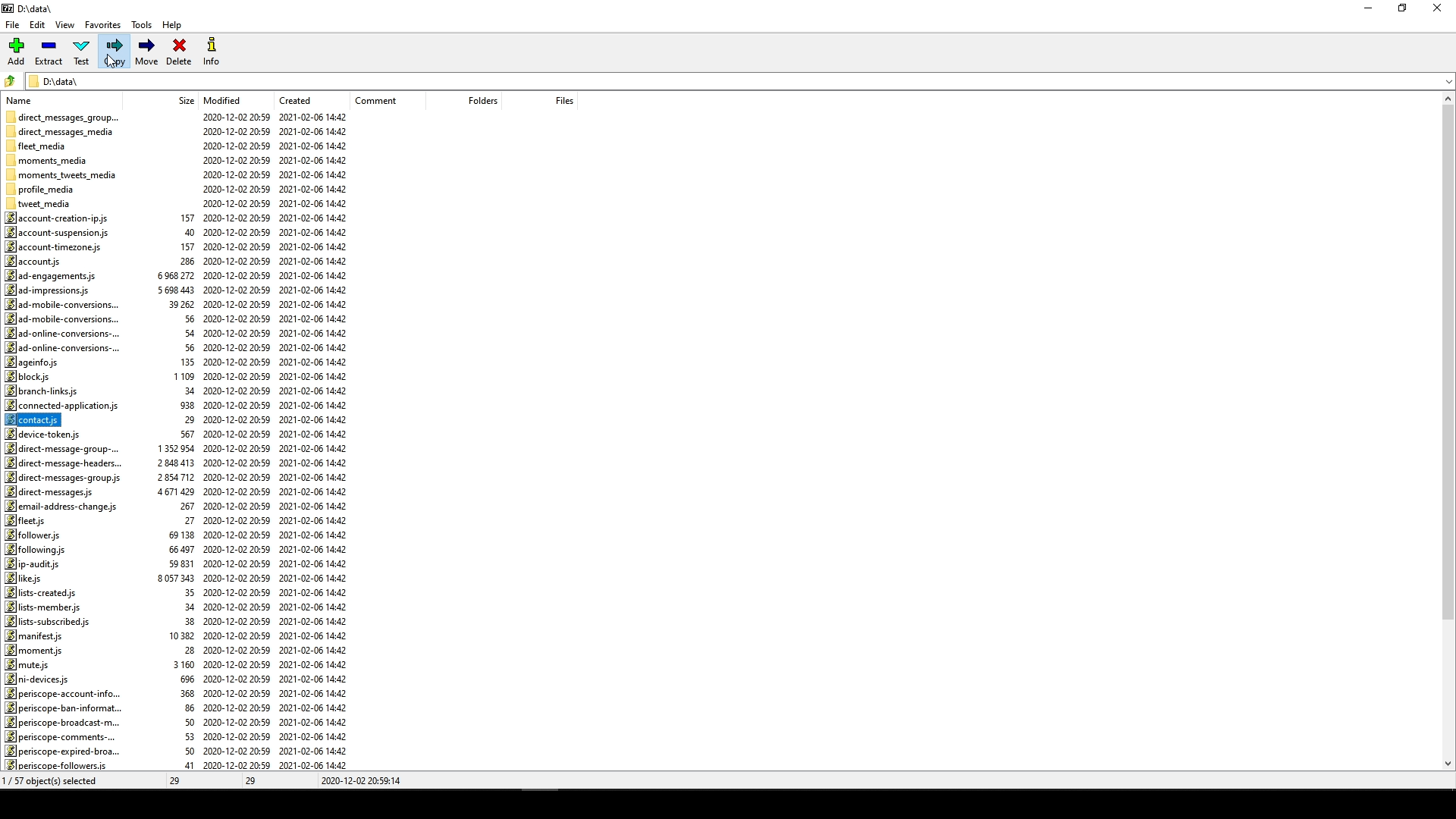 The image size is (1456, 819). What do you see at coordinates (64, 750) in the screenshot?
I see `periscope-expired-broa` at bounding box center [64, 750].